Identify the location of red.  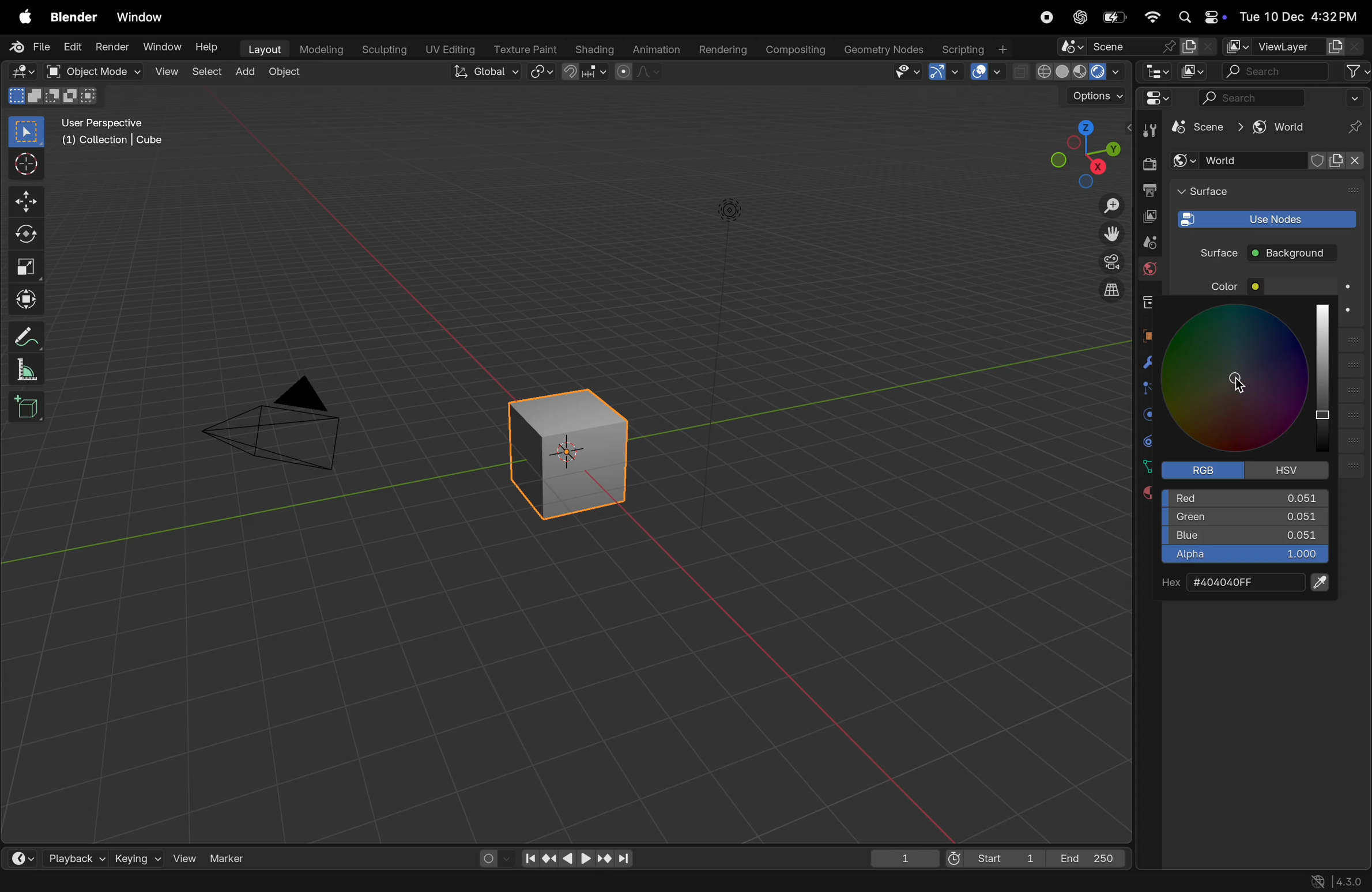
(1247, 496).